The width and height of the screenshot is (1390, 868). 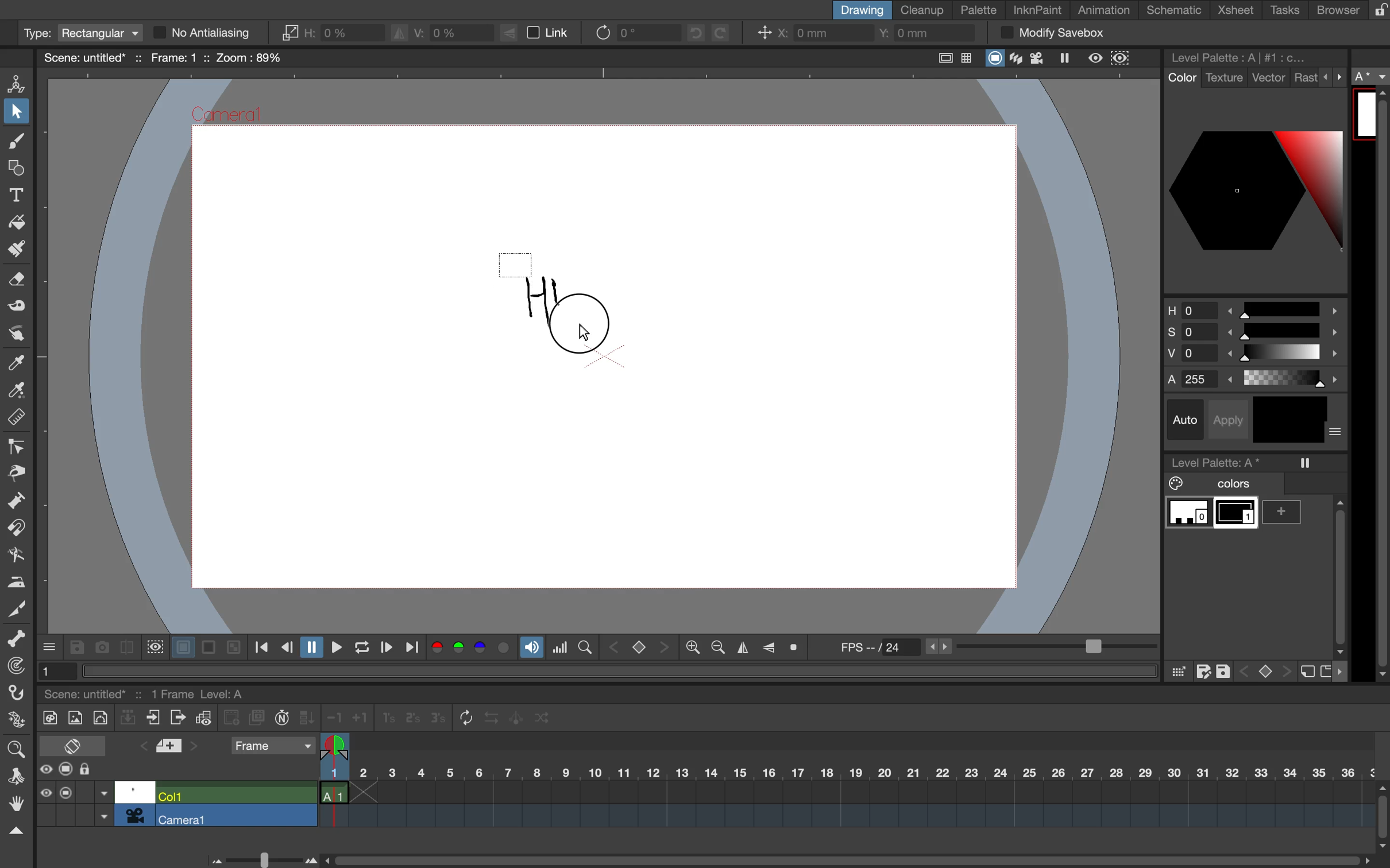 What do you see at coordinates (15, 747) in the screenshot?
I see `zoom tool` at bounding box center [15, 747].